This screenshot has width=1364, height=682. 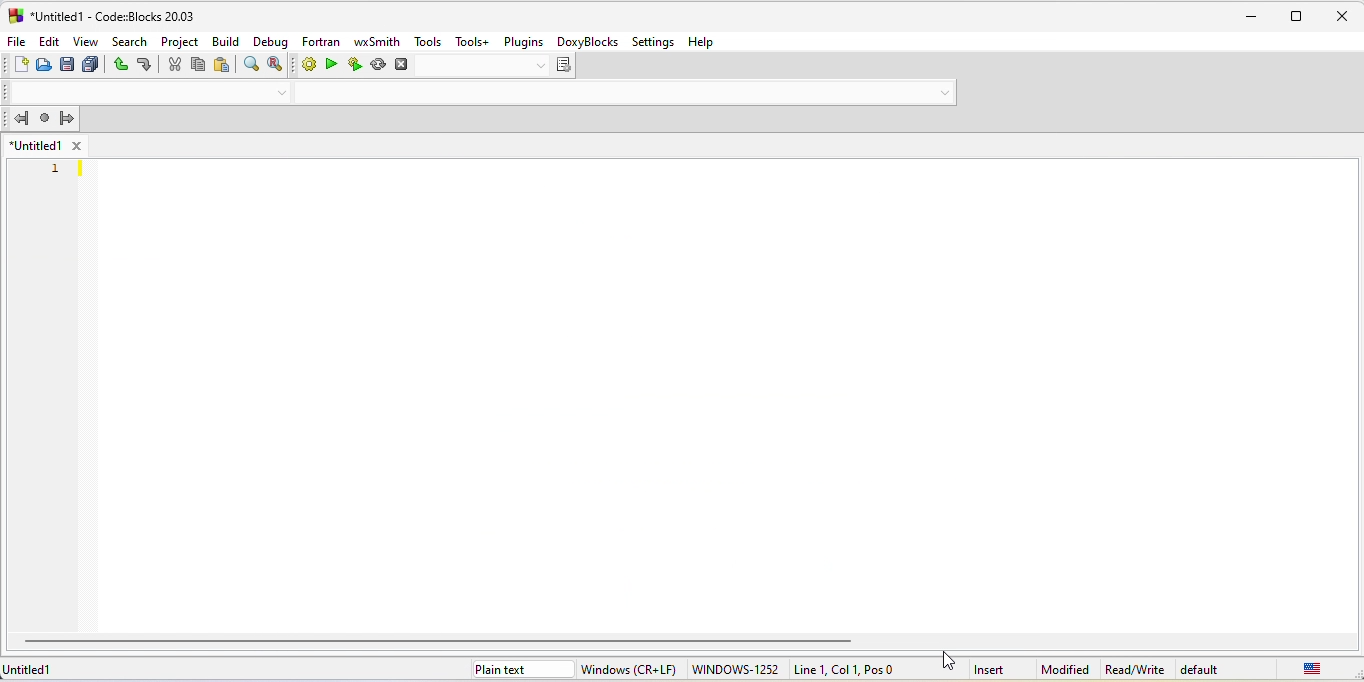 What do you see at coordinates (198, 64) in the screenshot?
I see `copy` at bounding box center [198, 64].